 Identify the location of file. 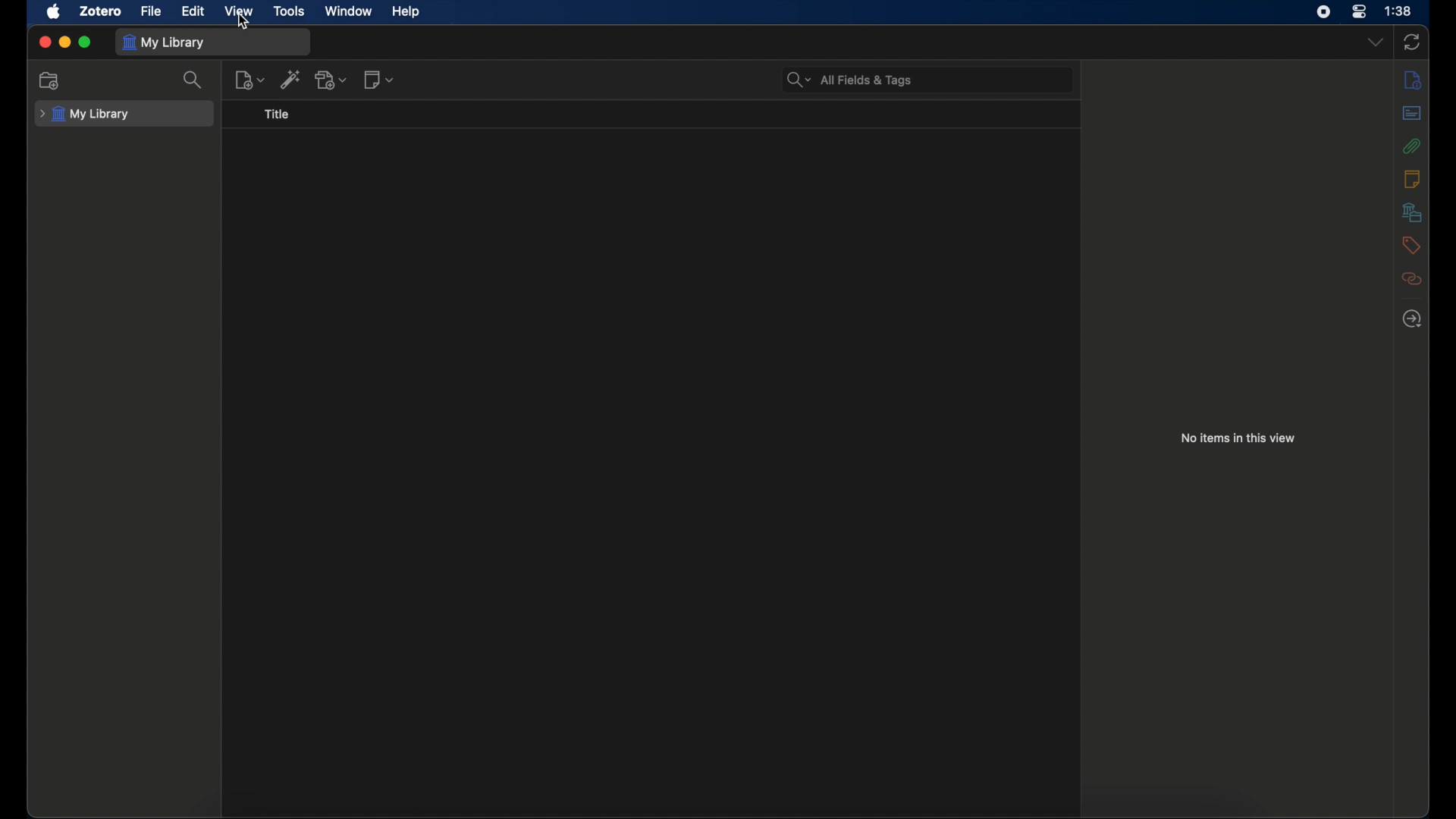
(152, 11).